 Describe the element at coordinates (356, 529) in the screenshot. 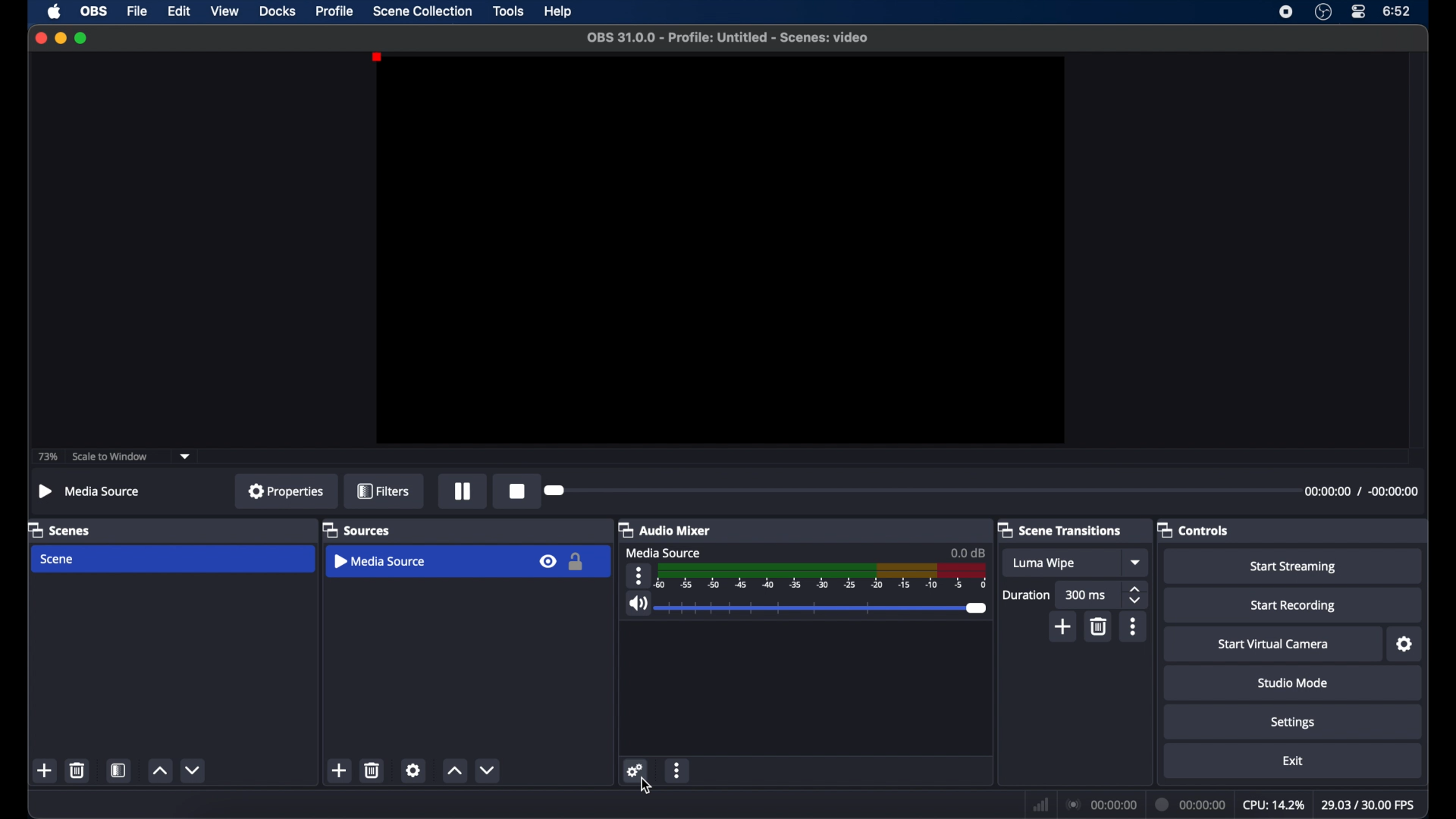

I see `sources` at that location.